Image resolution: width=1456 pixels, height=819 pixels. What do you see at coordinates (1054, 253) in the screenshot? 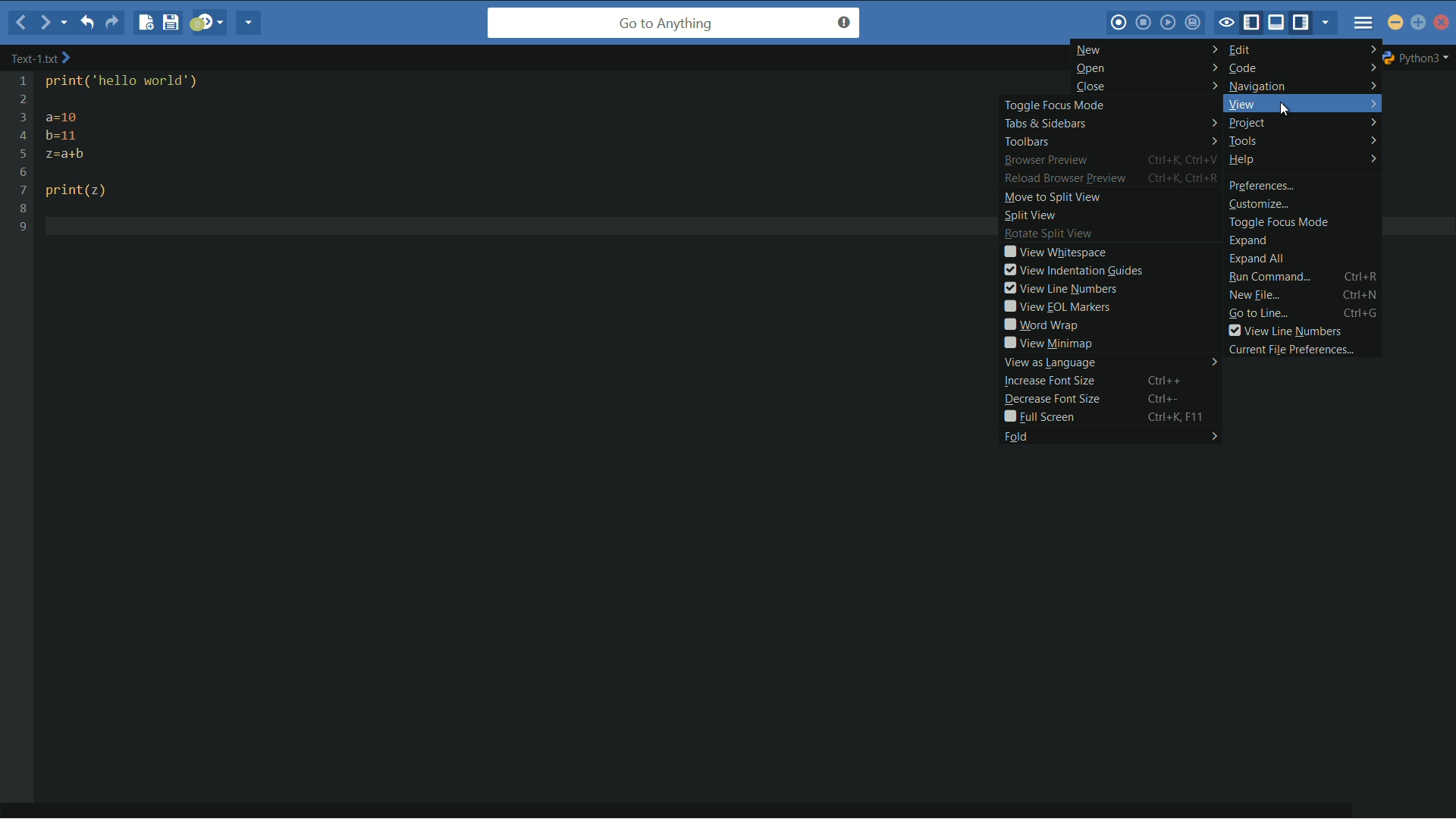
I see `view whitespace` at bounding box center [1054, 253].